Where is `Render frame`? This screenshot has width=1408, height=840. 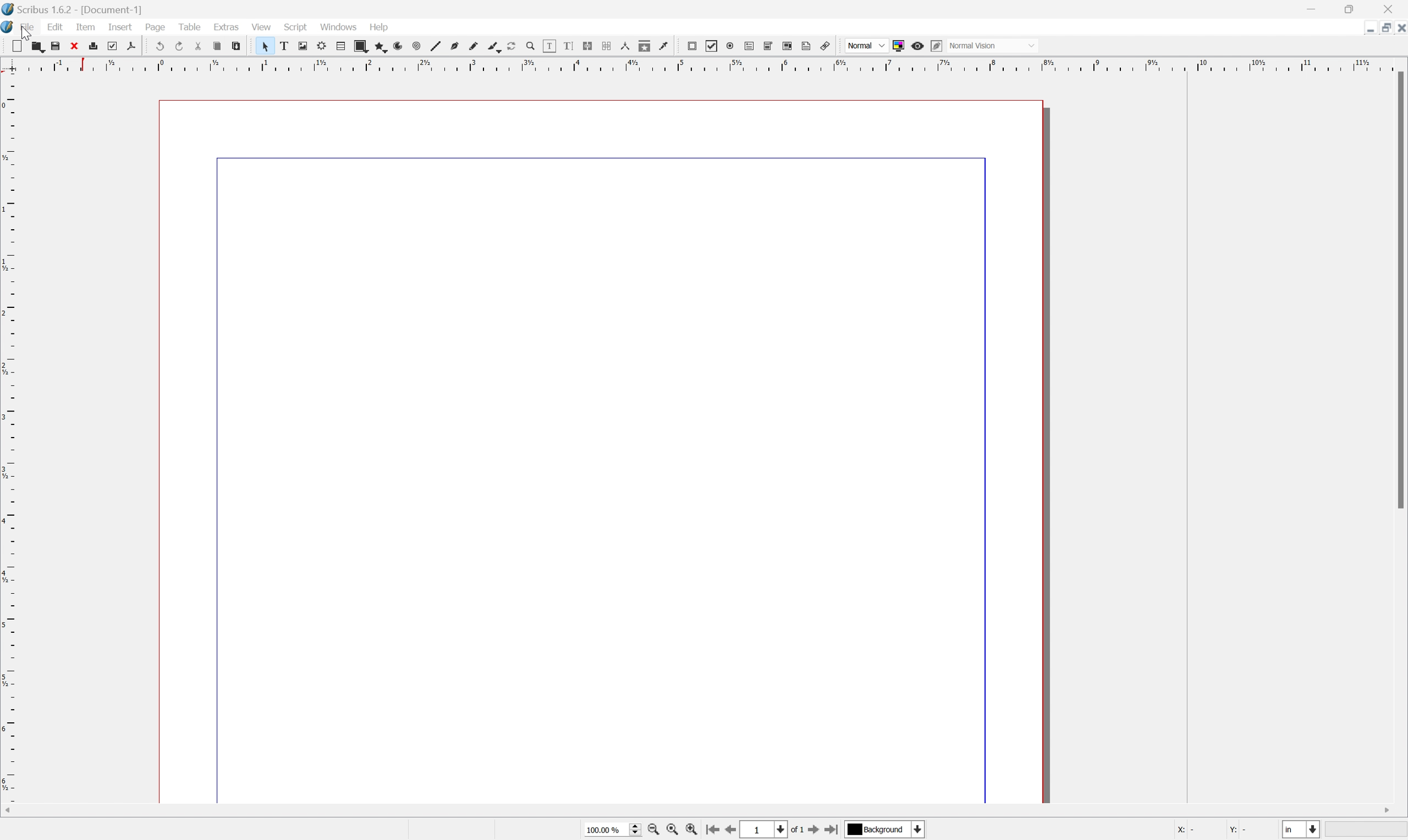
Render frame is located at coordinates (320, 46).